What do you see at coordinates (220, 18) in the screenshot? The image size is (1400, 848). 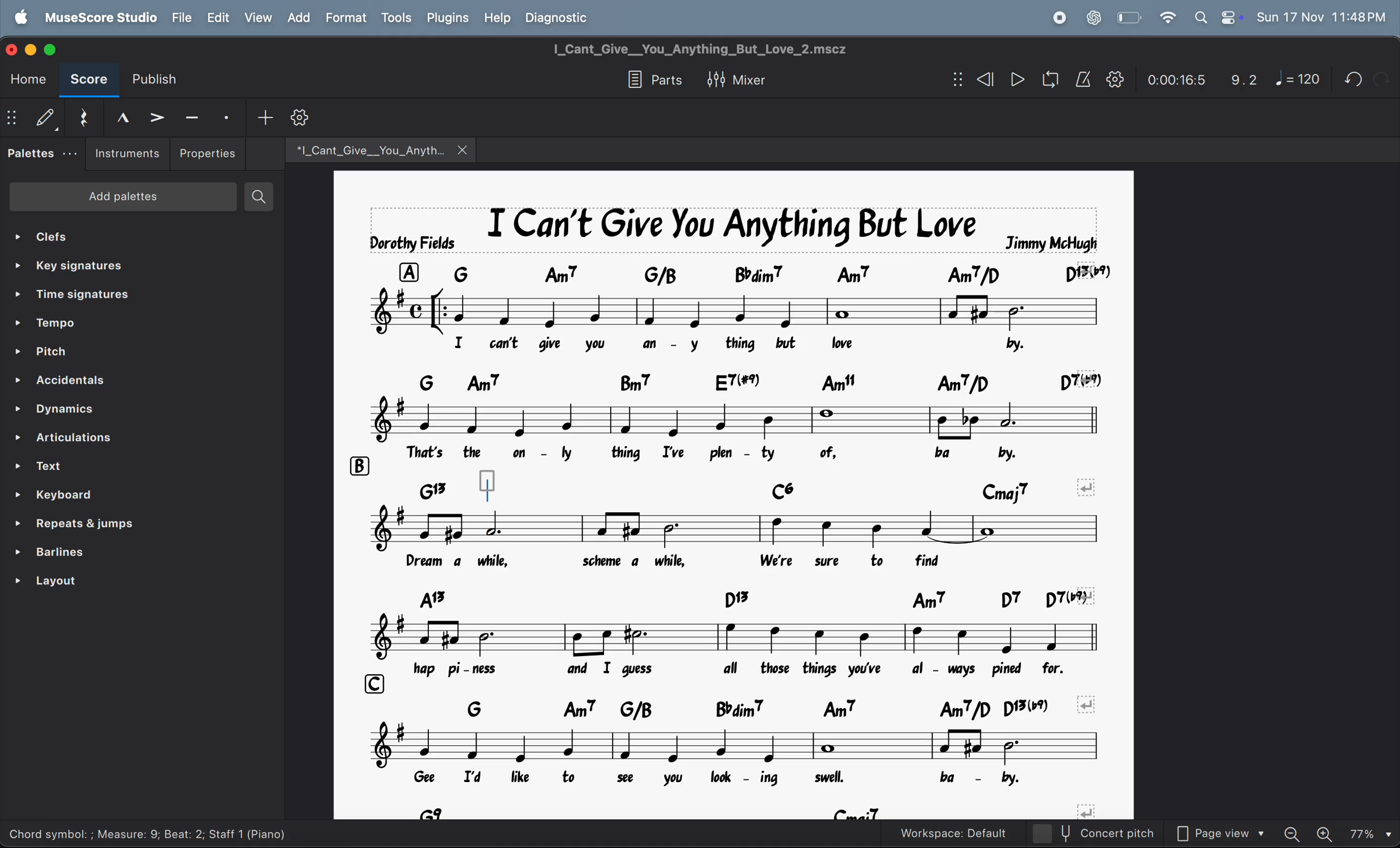 I see `edit` at bounding box center [220, 18].